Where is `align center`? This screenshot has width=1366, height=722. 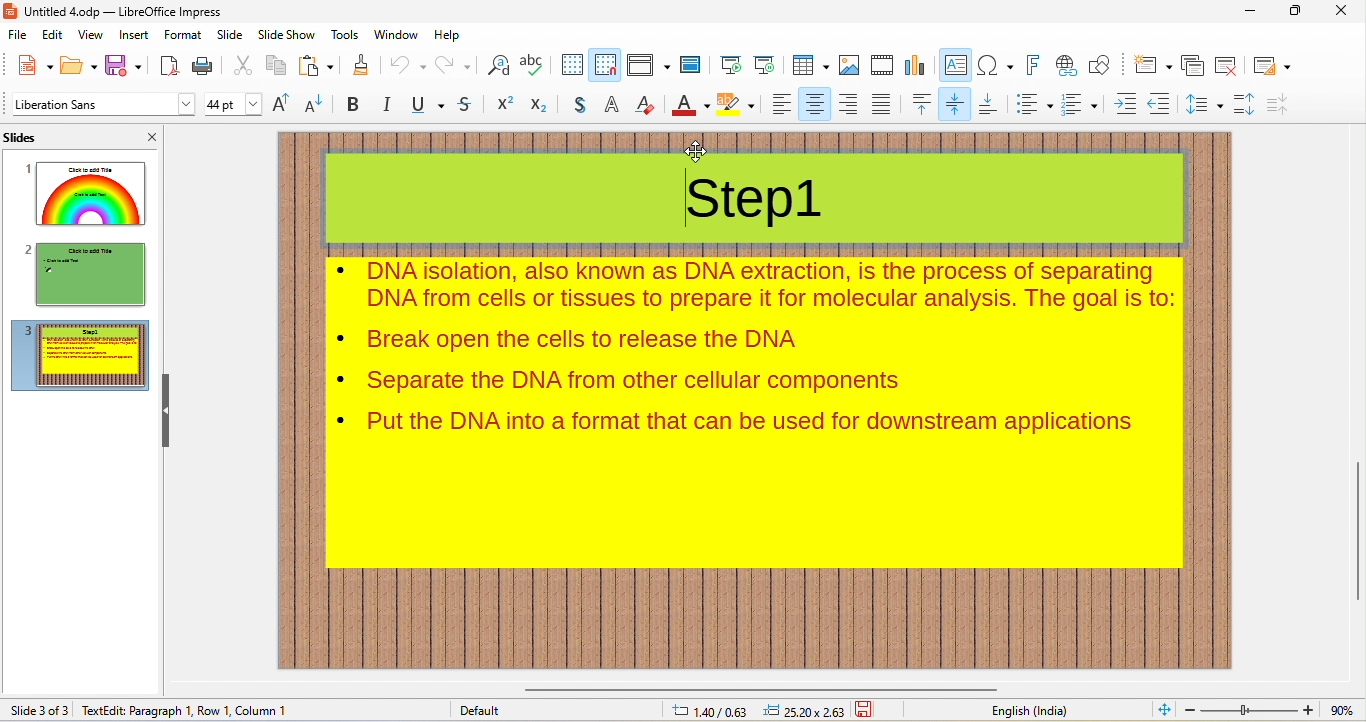 align center is located at coordinates (811, 104).